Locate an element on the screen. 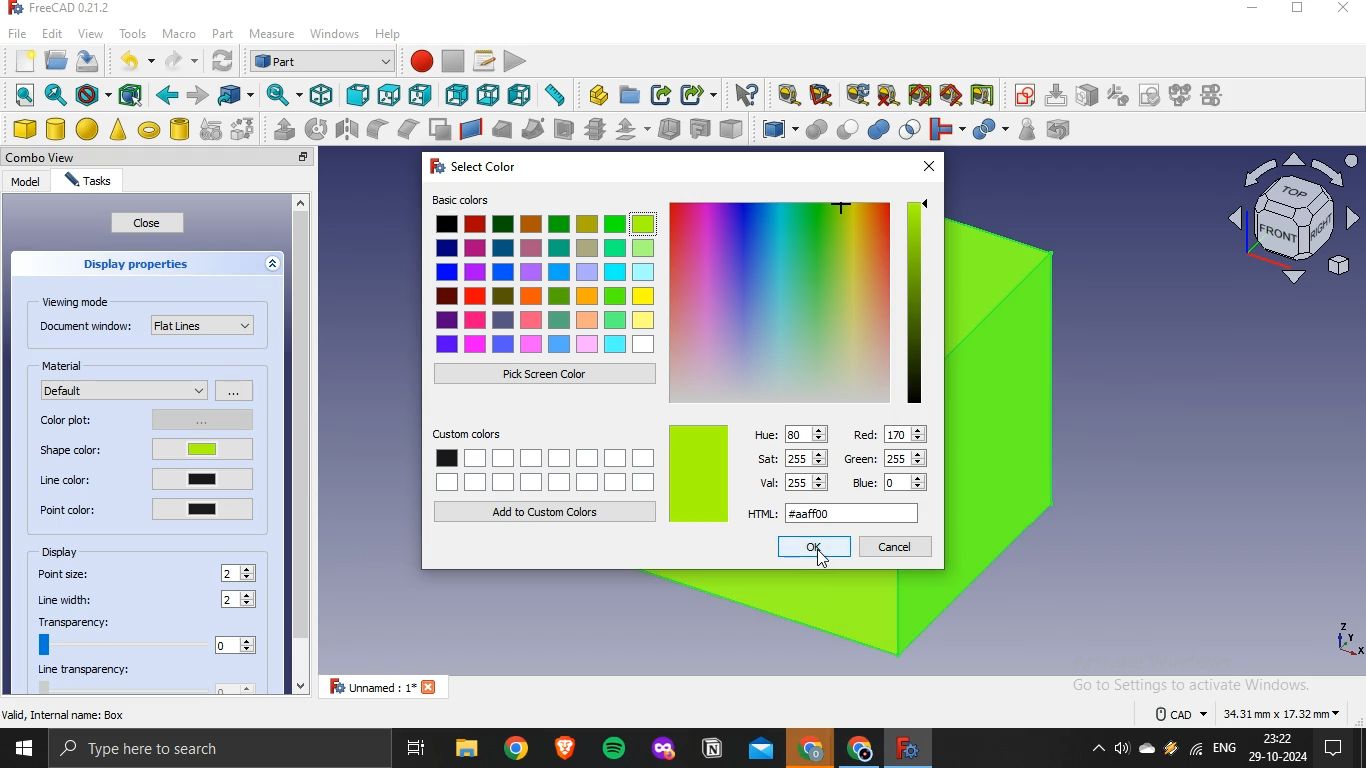 The width and height of the screenshot is (1366, 768). execute macro recording is located at coordinates (516, 60).